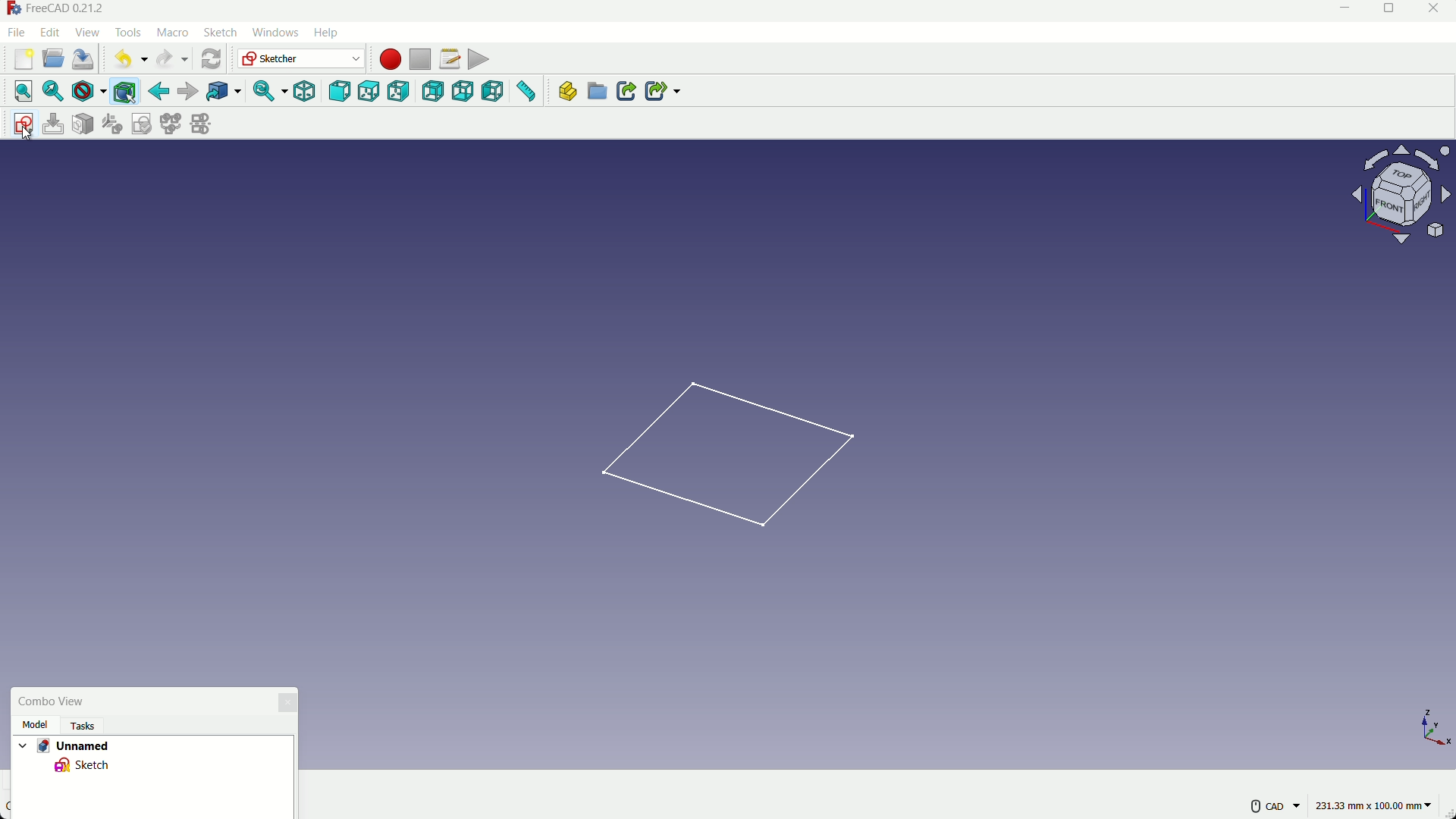  What do you see at coordinates (1376, 806) in the screenshot?
I see `measuring unit` at bounding box center [1376, 806].